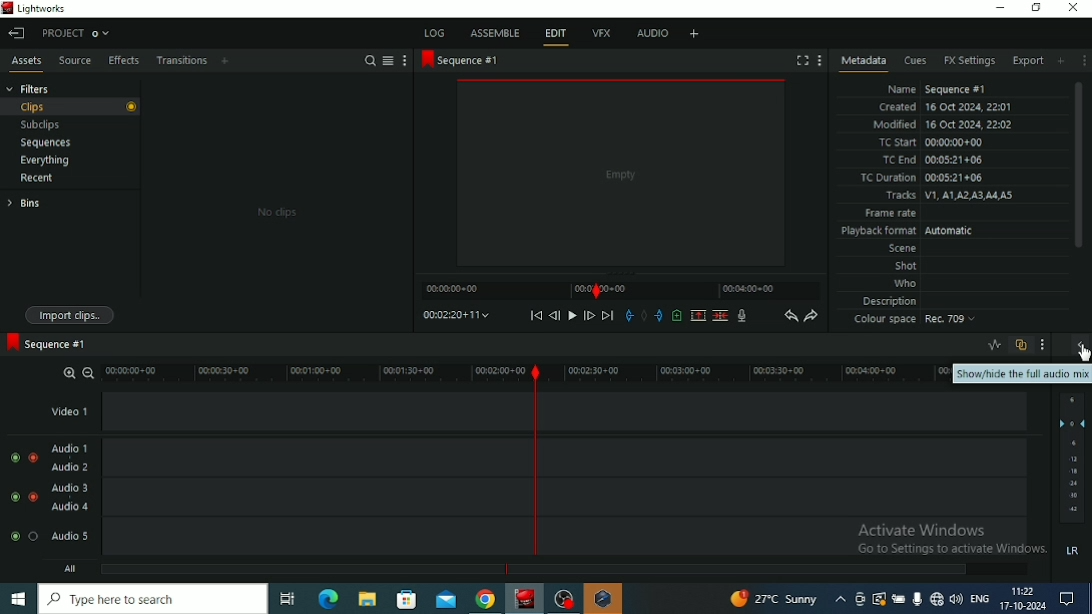  I want to click on Add an 'out' mark at the current position, so click(659, 315).